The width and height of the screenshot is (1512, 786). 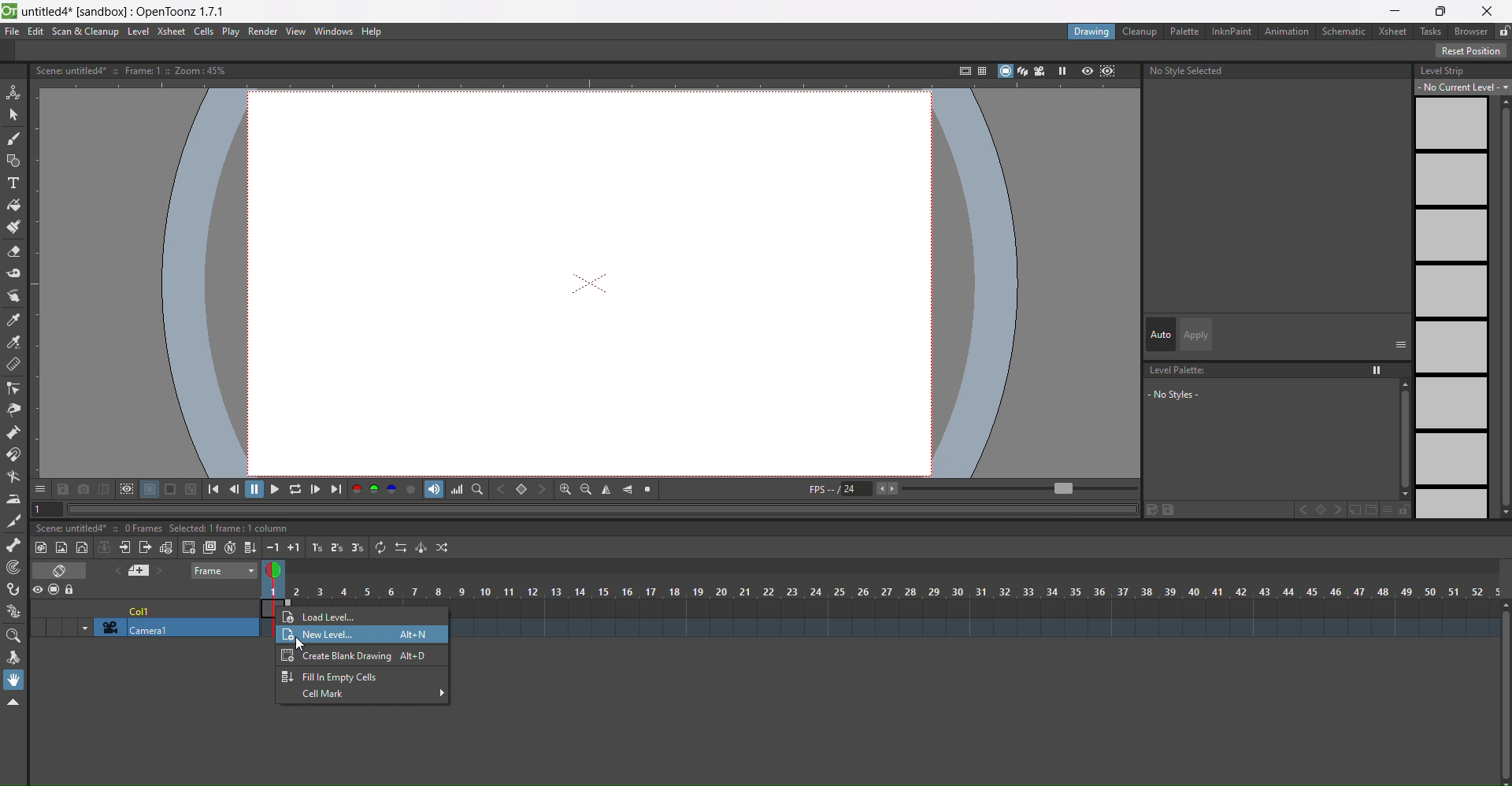 I want to click on magnifier tool, so click(x=13, y=637).